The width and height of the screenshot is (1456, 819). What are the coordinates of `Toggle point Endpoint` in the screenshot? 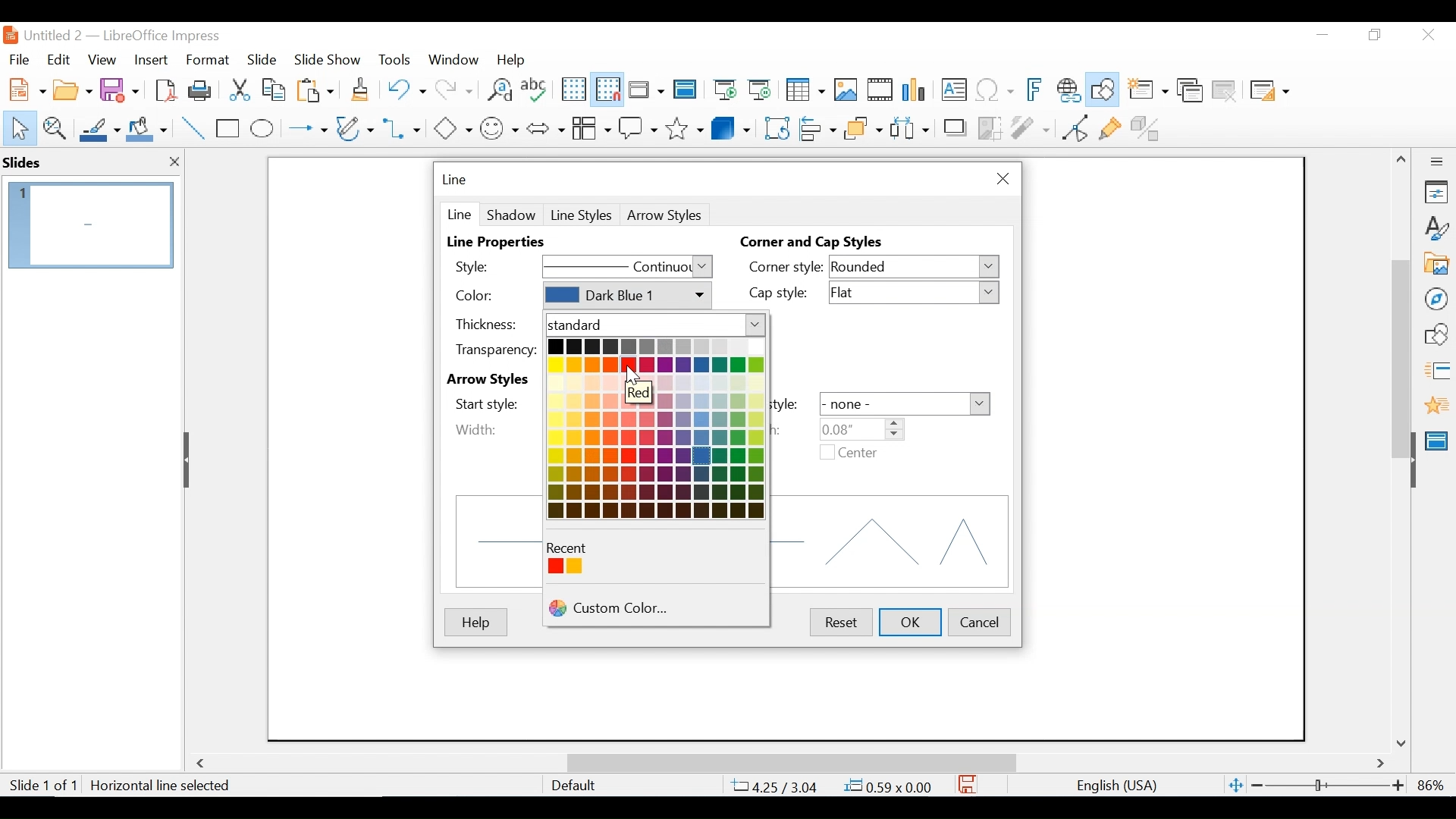 It's located at (1072, 127).